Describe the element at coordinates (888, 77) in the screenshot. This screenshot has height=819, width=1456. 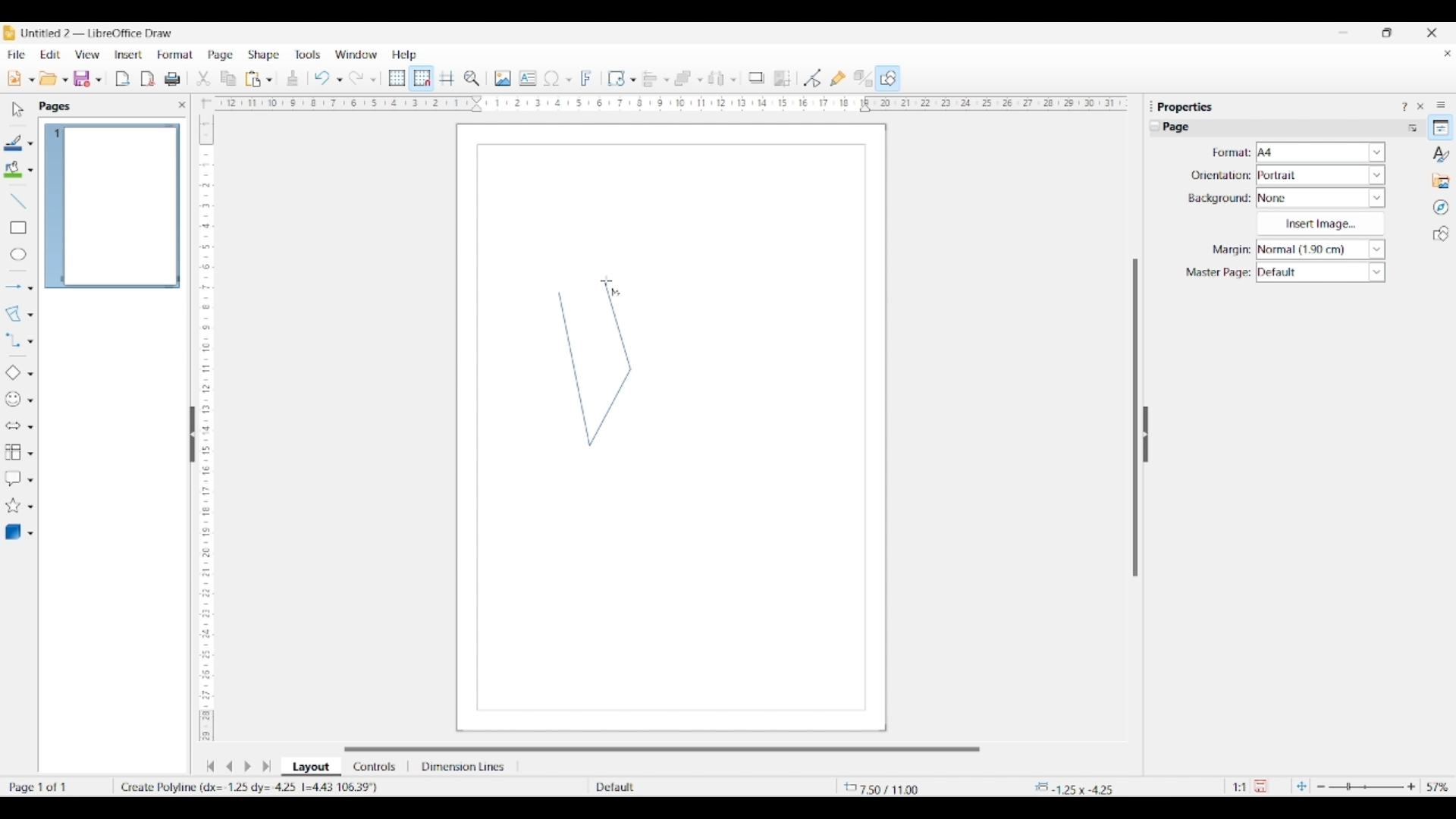
I see `Show draw functions` at that location.